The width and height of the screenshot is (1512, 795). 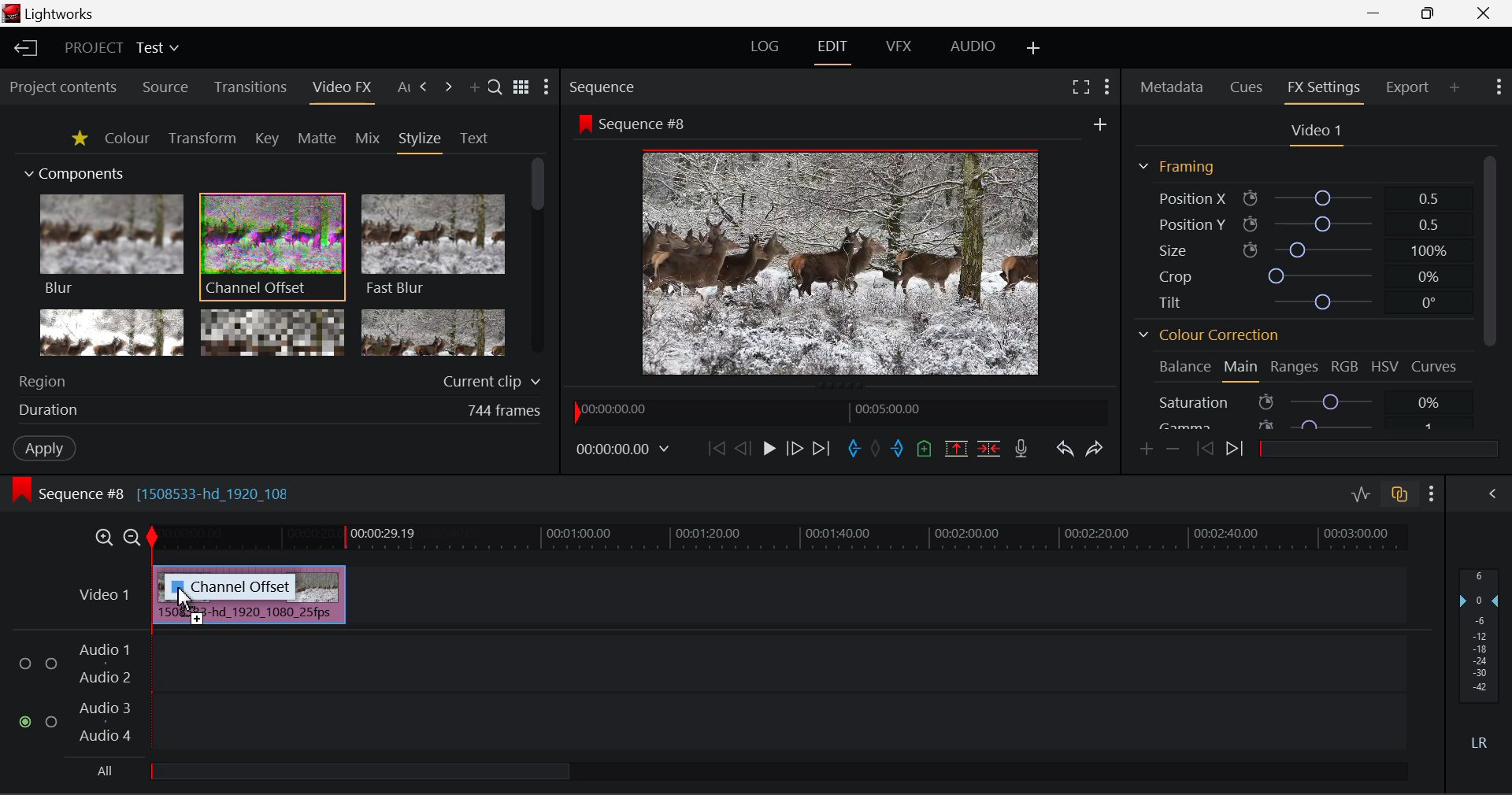 I want to click on Remove keyframe, so click(x=1173, y=453).